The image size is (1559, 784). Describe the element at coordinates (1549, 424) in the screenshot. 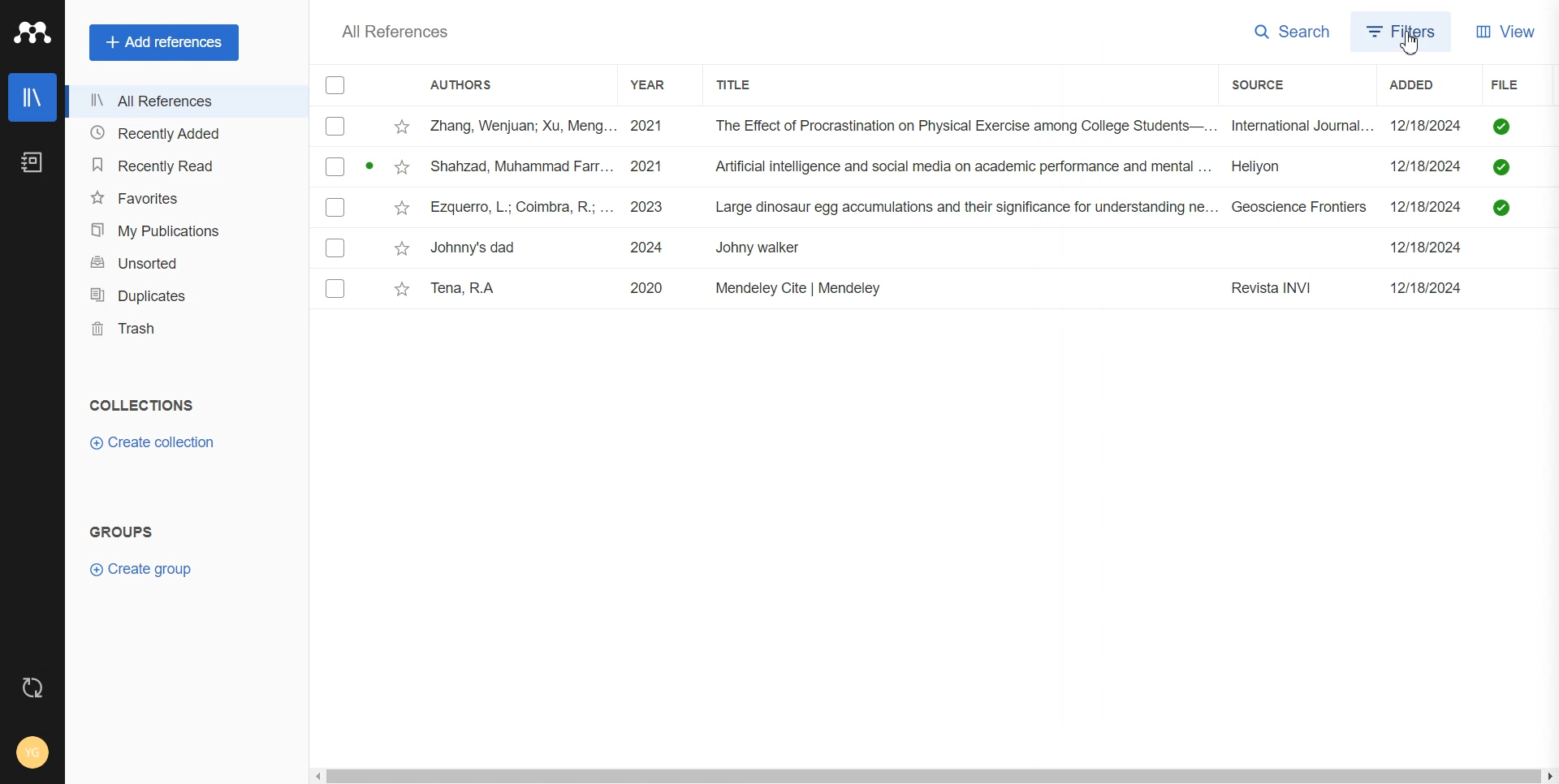

I see `Vertical scroll bar` at that location.